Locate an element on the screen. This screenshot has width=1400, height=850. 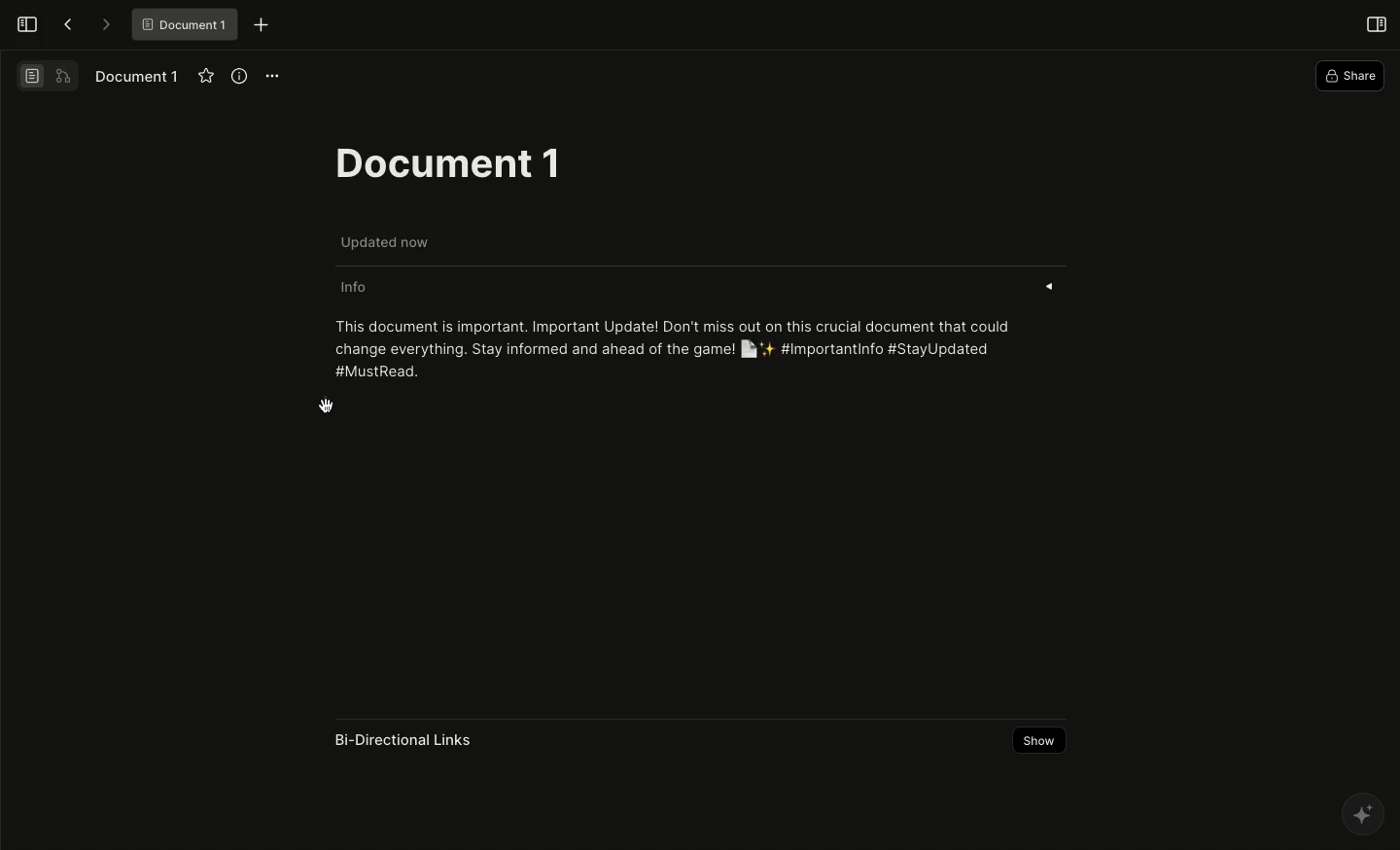
New tab is located at coordinates (262, 26).